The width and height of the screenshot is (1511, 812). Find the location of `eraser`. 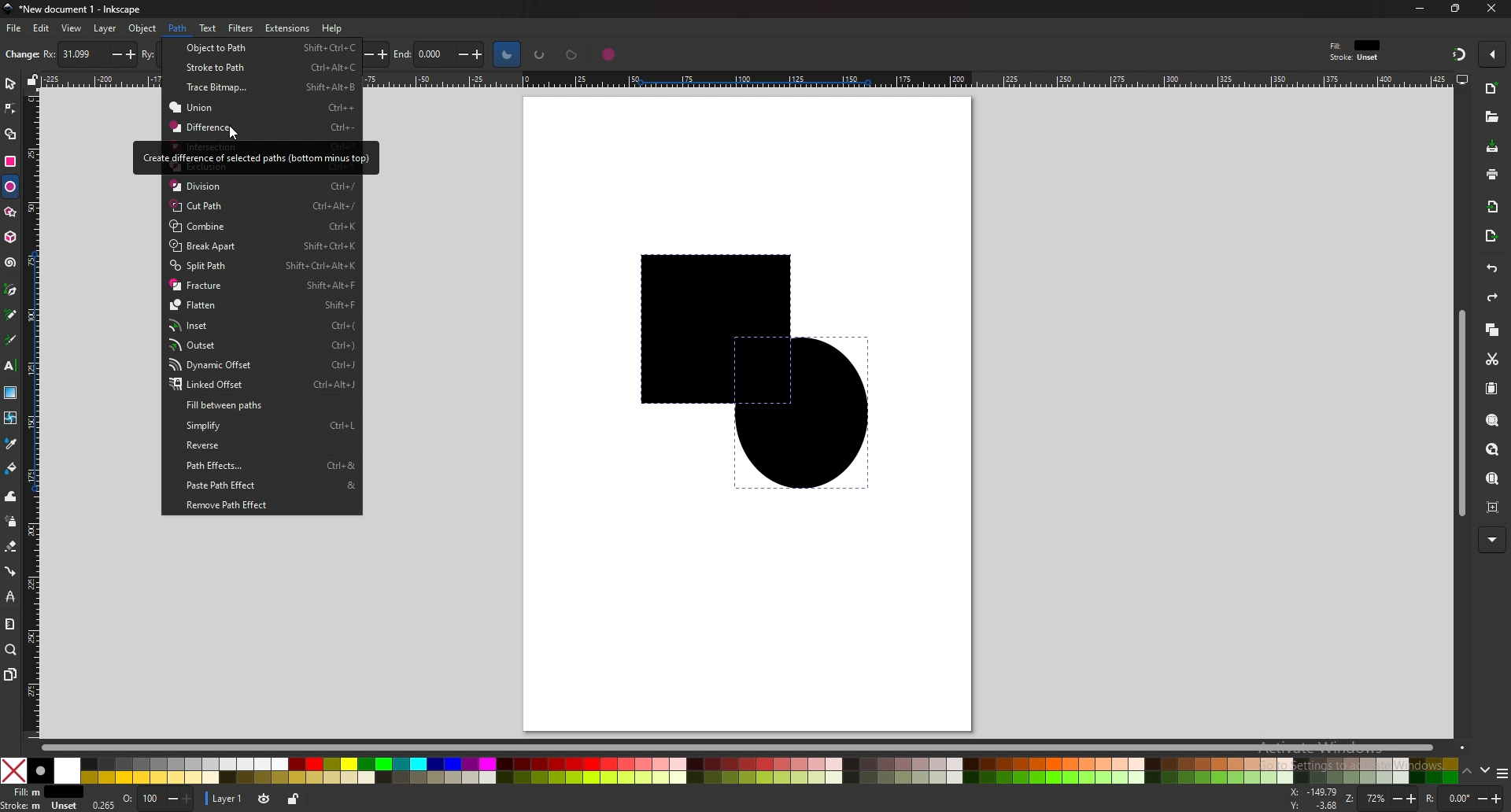

eraser is located at coordinates (11, 546).